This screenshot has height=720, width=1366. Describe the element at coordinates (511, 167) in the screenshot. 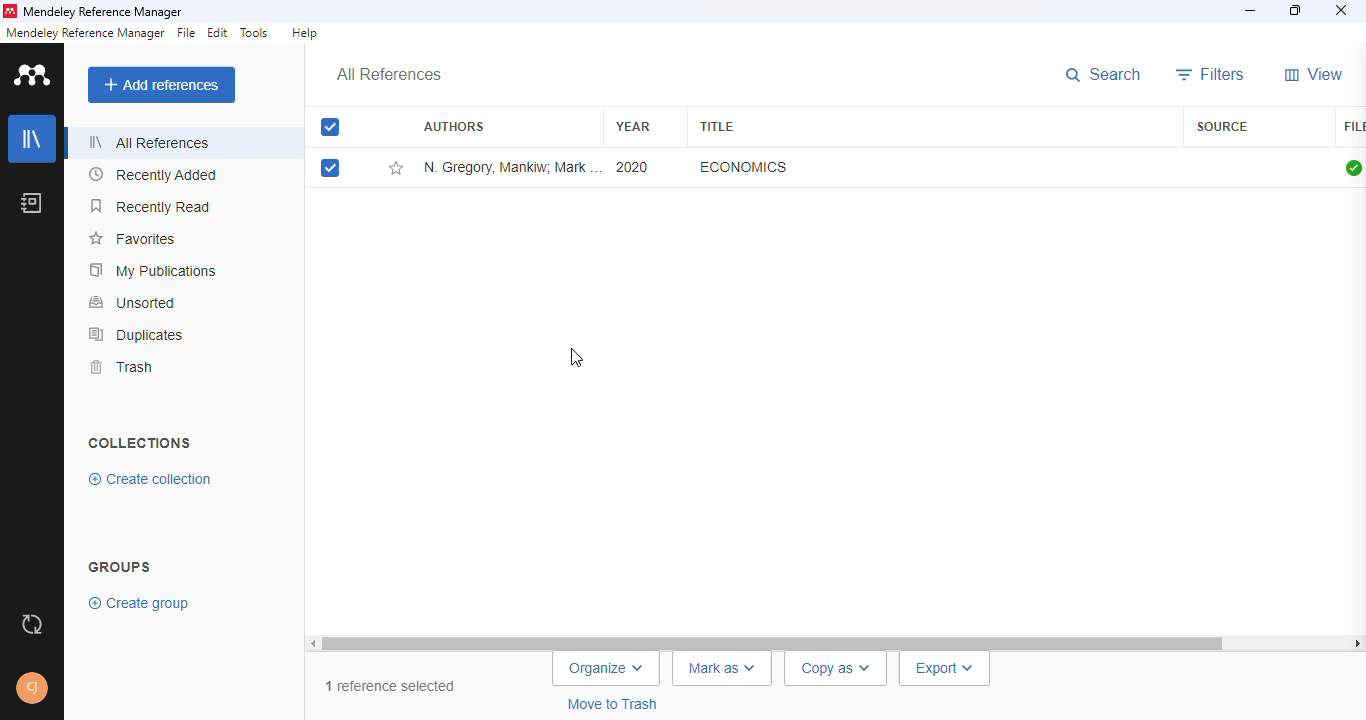

I see `N. Gregory Mankiw, Mark P. Taylor` at that location.